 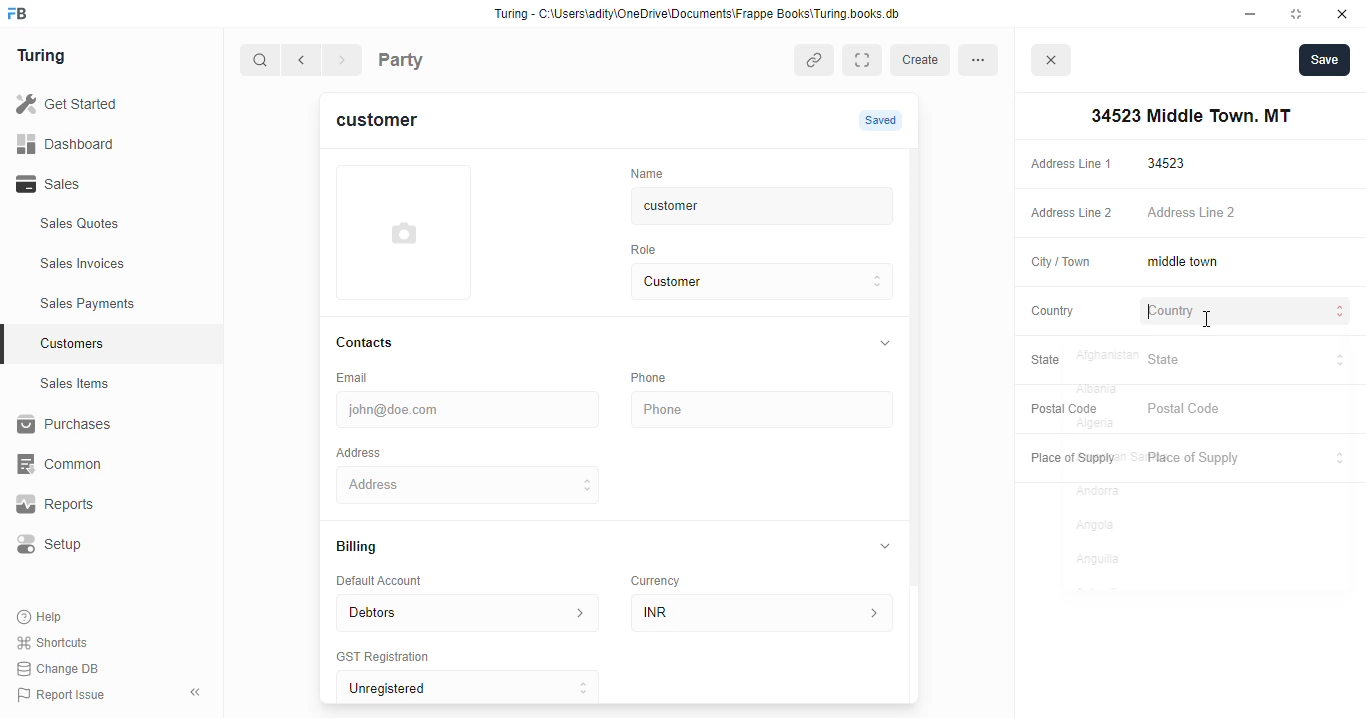 What do you see at coordinates (372, 451) in the screenshot?
I see `Address` at bounding box center [372, 451].